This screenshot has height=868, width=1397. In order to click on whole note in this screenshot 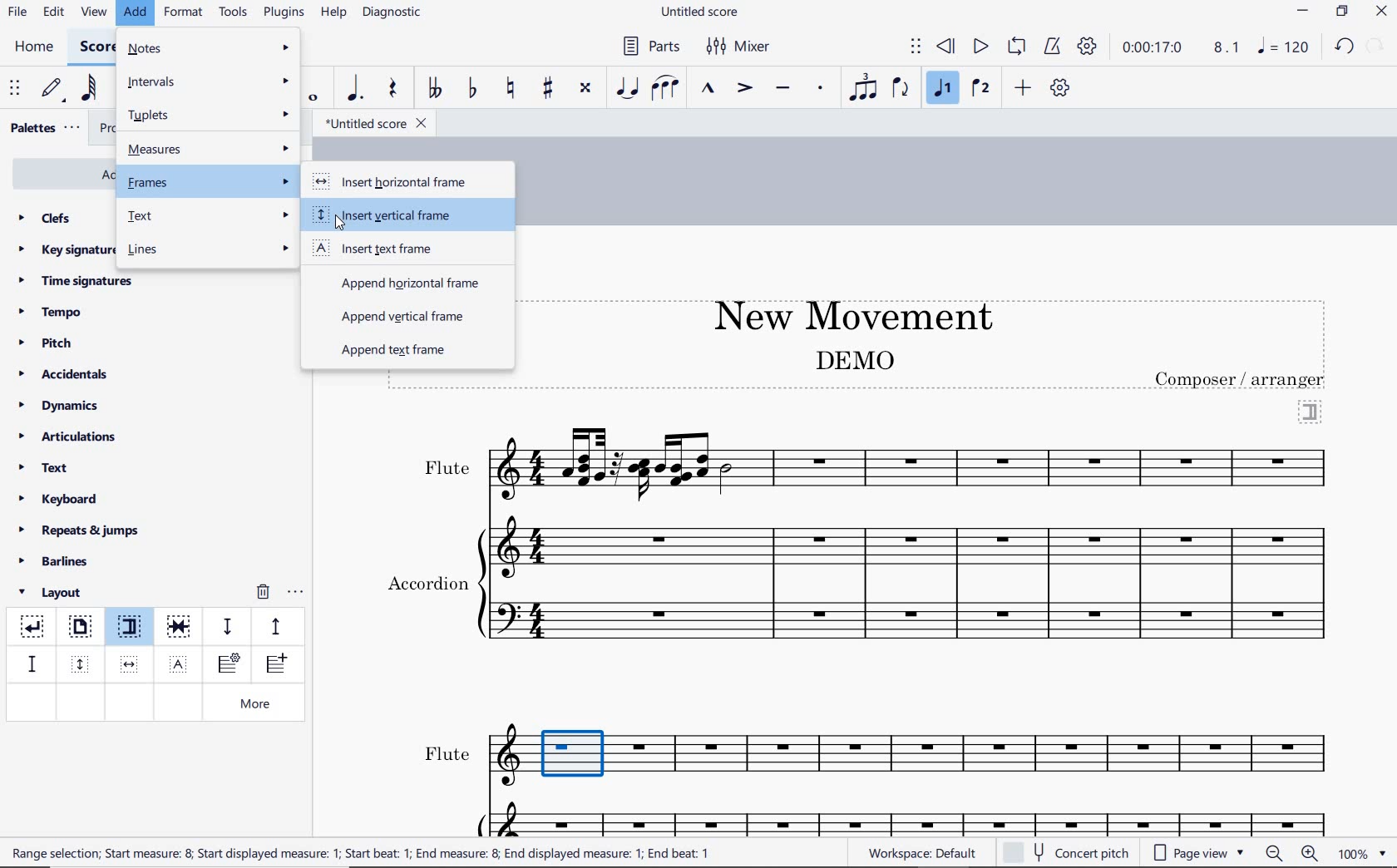, I will do `click(314, 97)`.